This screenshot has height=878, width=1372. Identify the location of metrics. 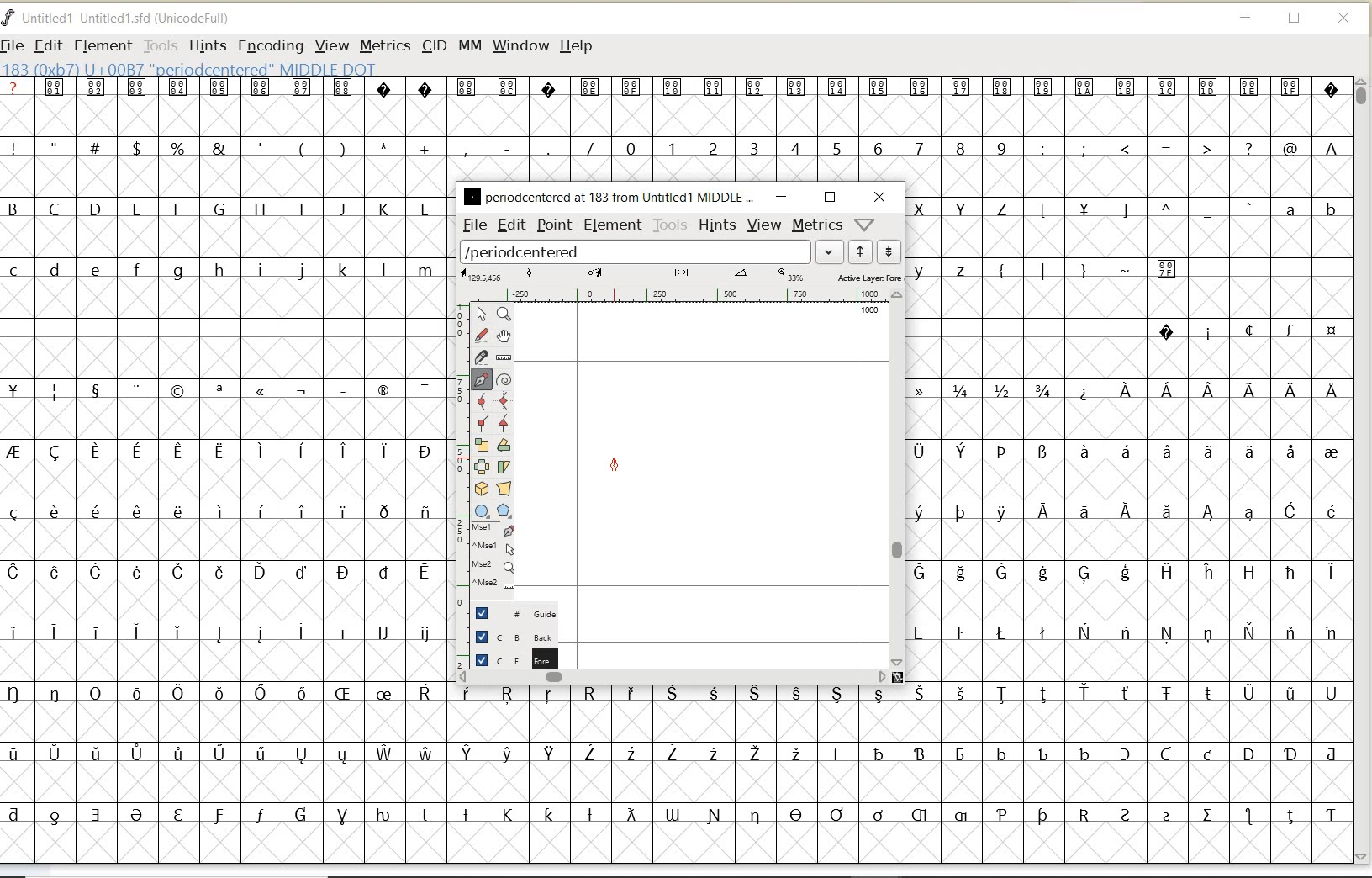
(818, 225).